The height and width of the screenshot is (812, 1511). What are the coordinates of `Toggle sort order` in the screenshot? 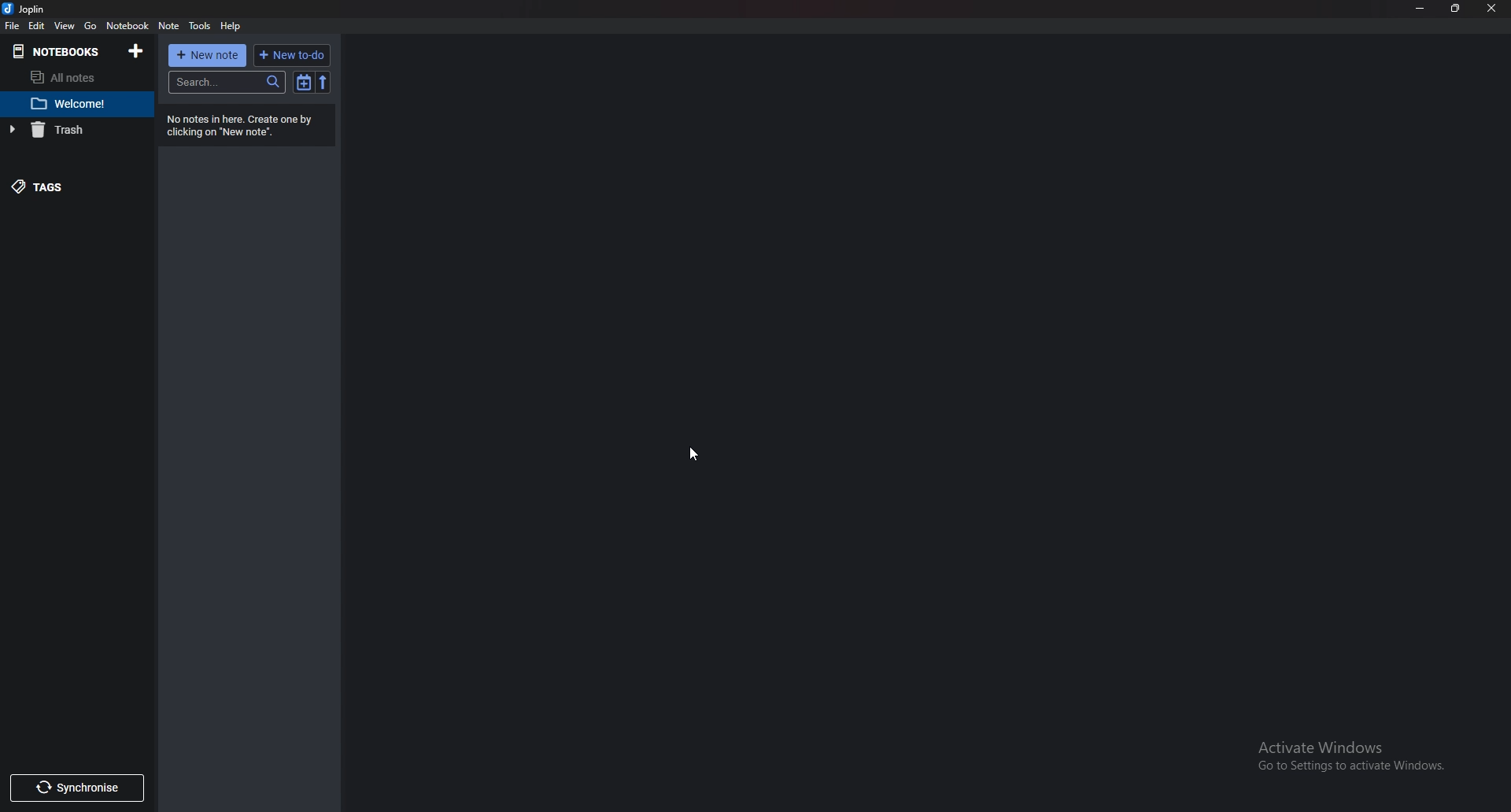 It's located at (303, 83).